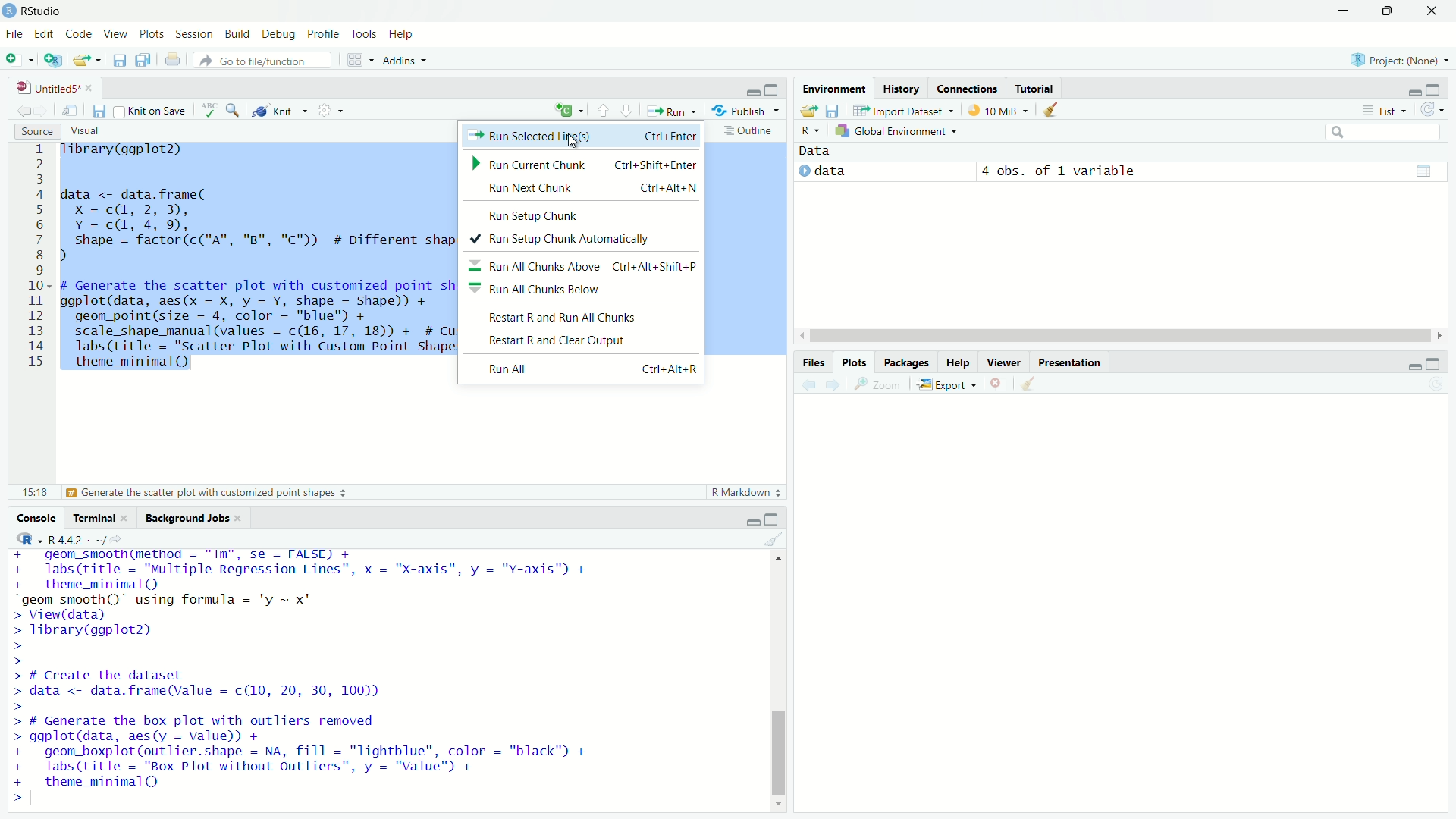 This screenshot has height=819, width=1456. Describe the element at coordinates (14, 33) in the screenshot. I see `File` at that location.